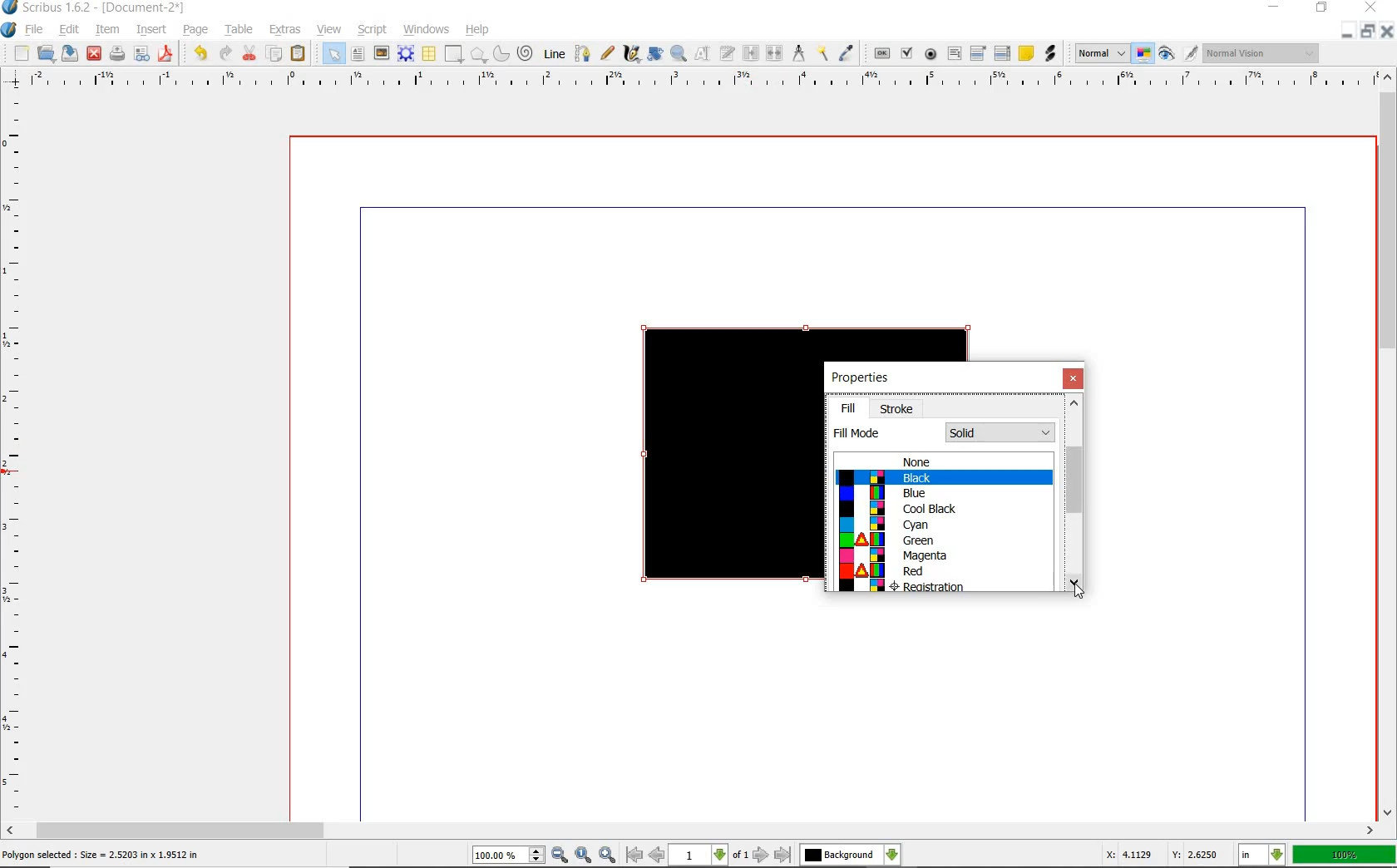 This screenshot has width=1397, height=868. Describe the element at coordinates (822, 56) in the screenshot. I see `copy item properties` at that location.